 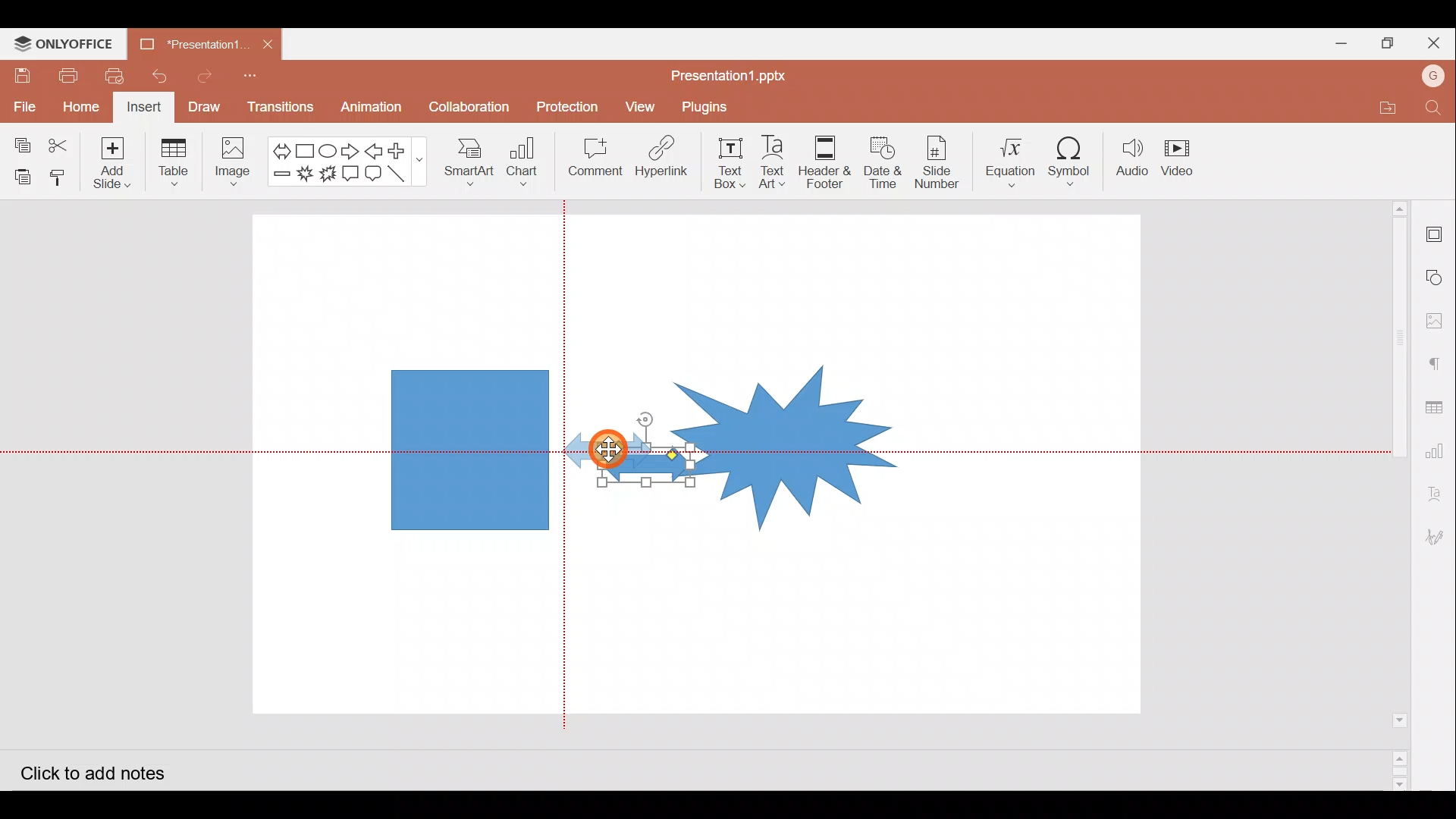 What do you see at coordinates (1134, 158) in the screenshot?
I see `Audio` at bounding box center [1134, 158].